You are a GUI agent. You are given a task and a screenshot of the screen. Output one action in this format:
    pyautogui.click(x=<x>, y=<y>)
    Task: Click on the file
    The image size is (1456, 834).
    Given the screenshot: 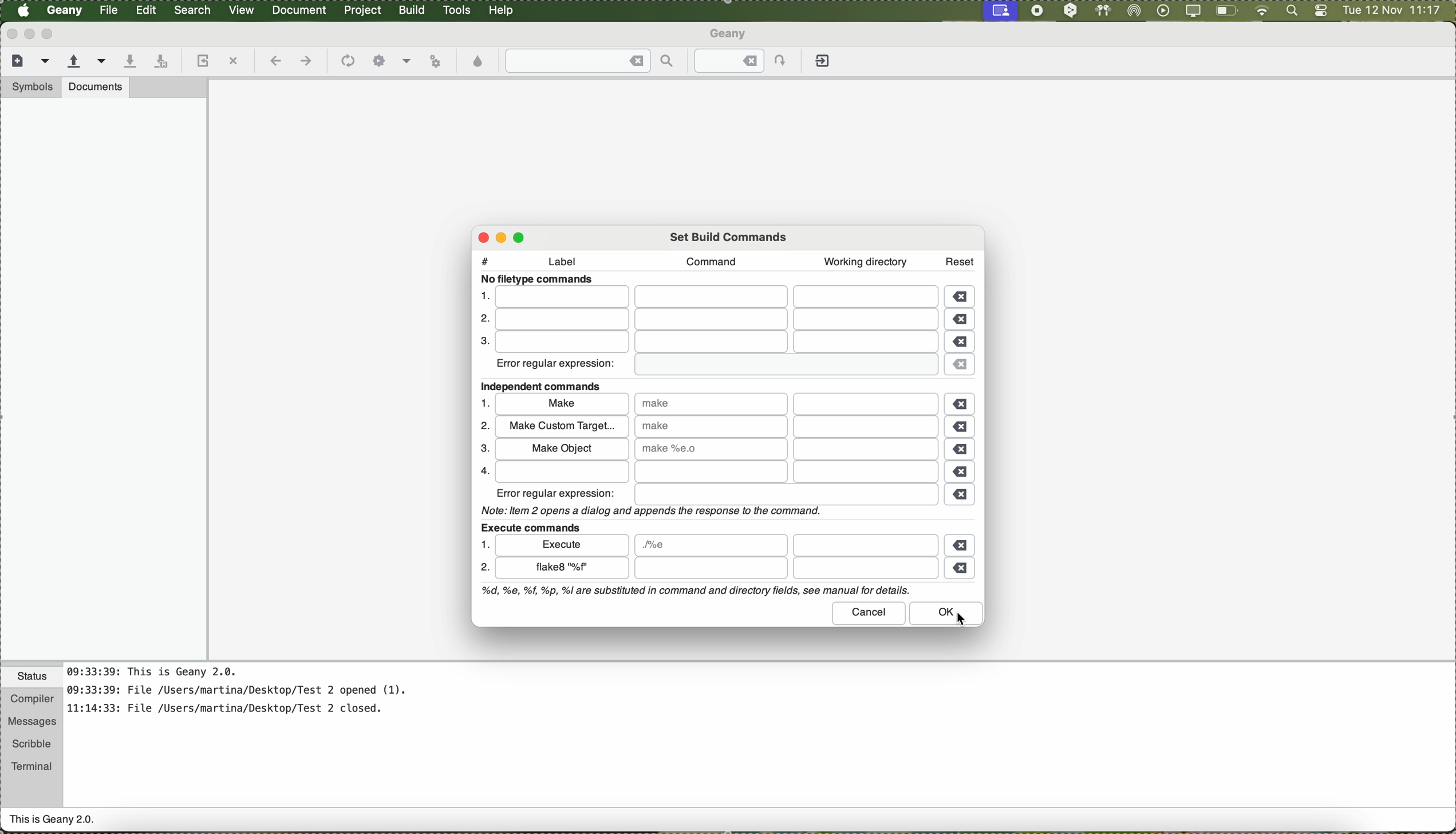 What is the action you would take?
    pyautogui.click(x=715, y=321)
    